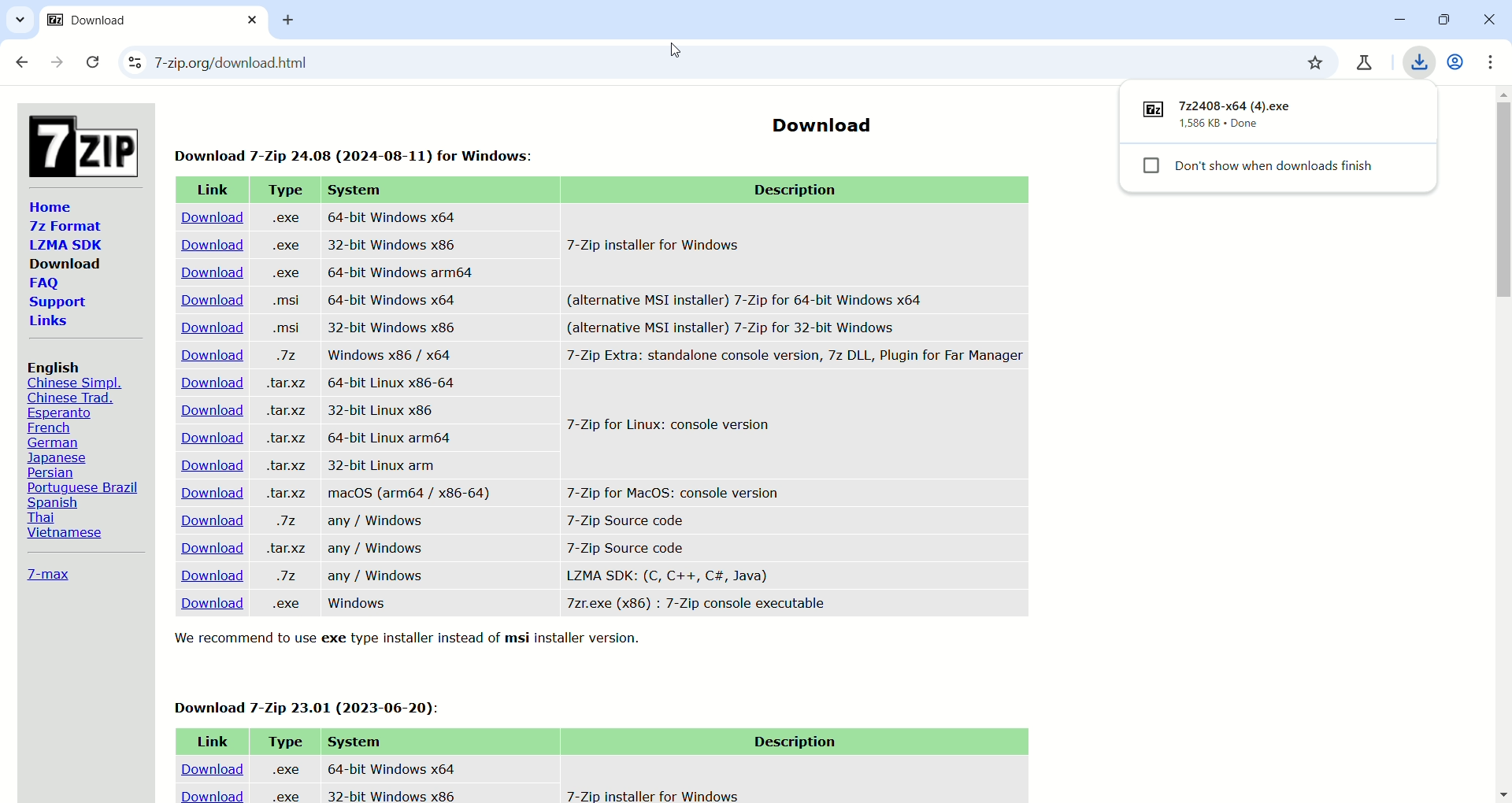 The image size is (1512, 803). What do you see at coordinates (209, 301) in the screenshot?
I see `Download` at bounding box center [209, 301].